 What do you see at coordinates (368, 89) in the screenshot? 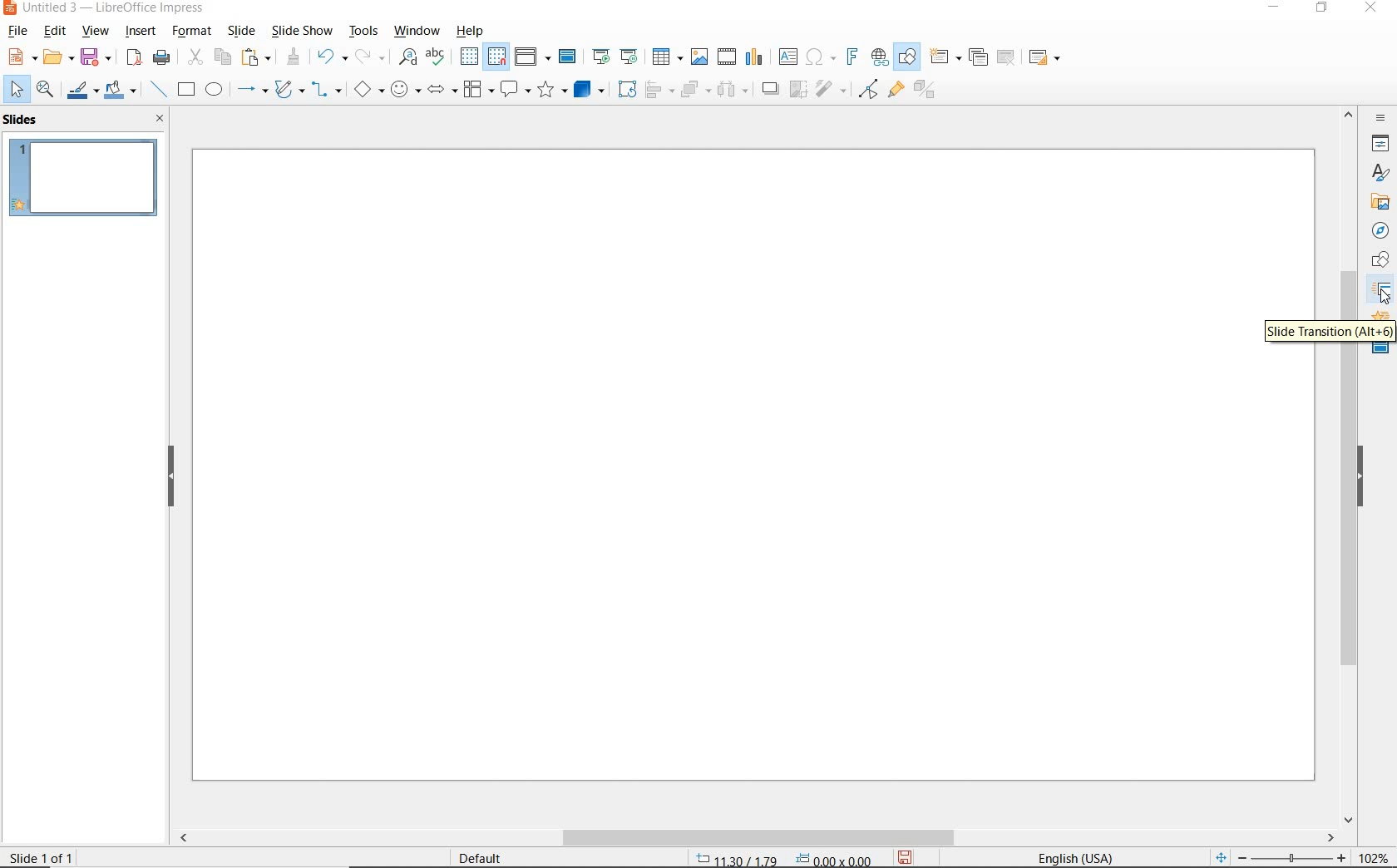
I see `BASIC SHAPES` at bounding box center [368, 89].